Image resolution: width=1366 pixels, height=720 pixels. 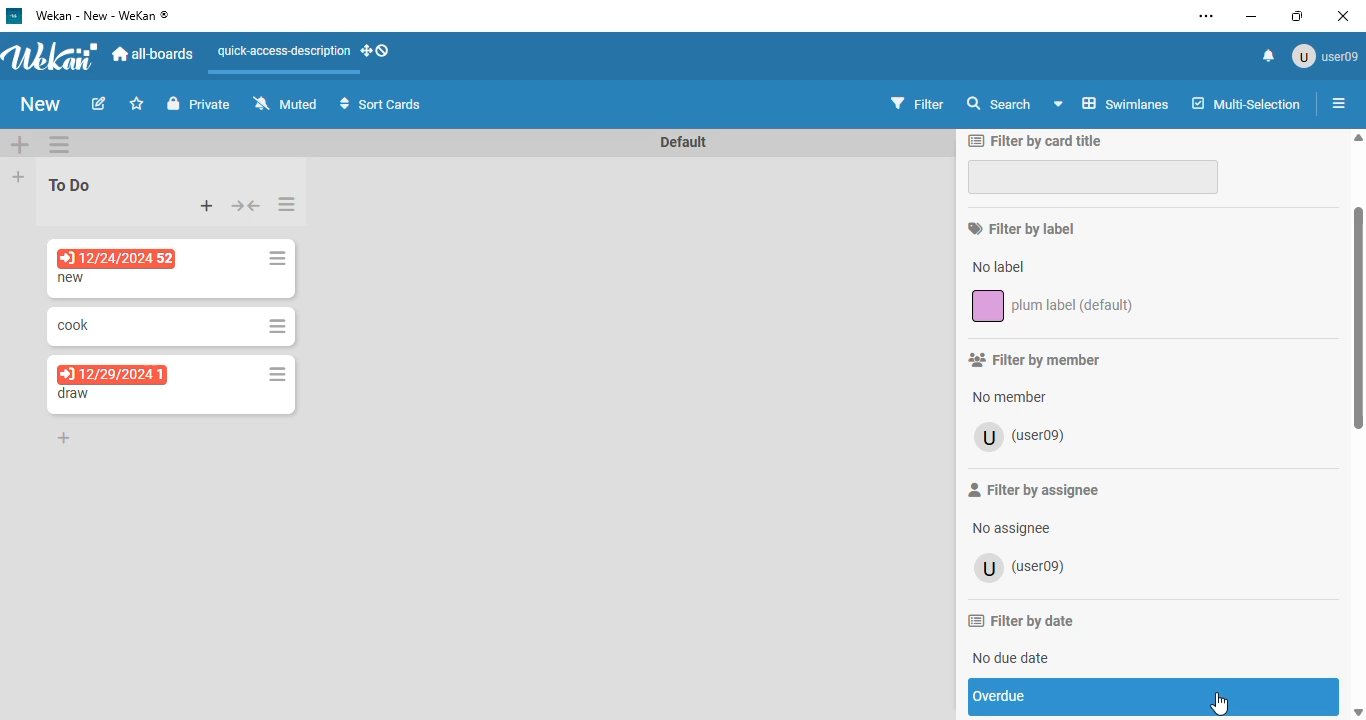 I want to click on search, so click(x=999, y=103).